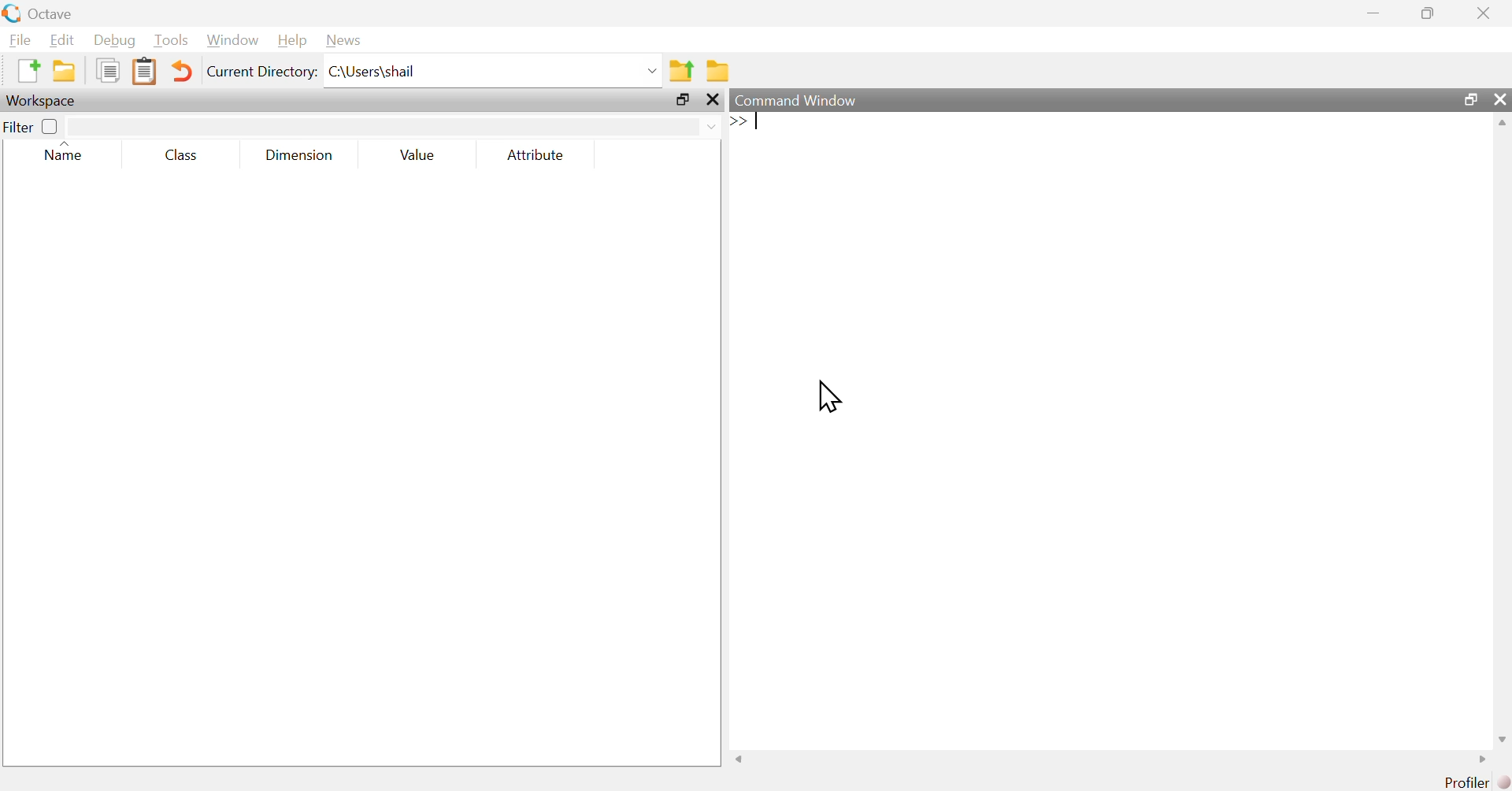 The image size is (1512, 791). I want to click on File, so click(17, 39).